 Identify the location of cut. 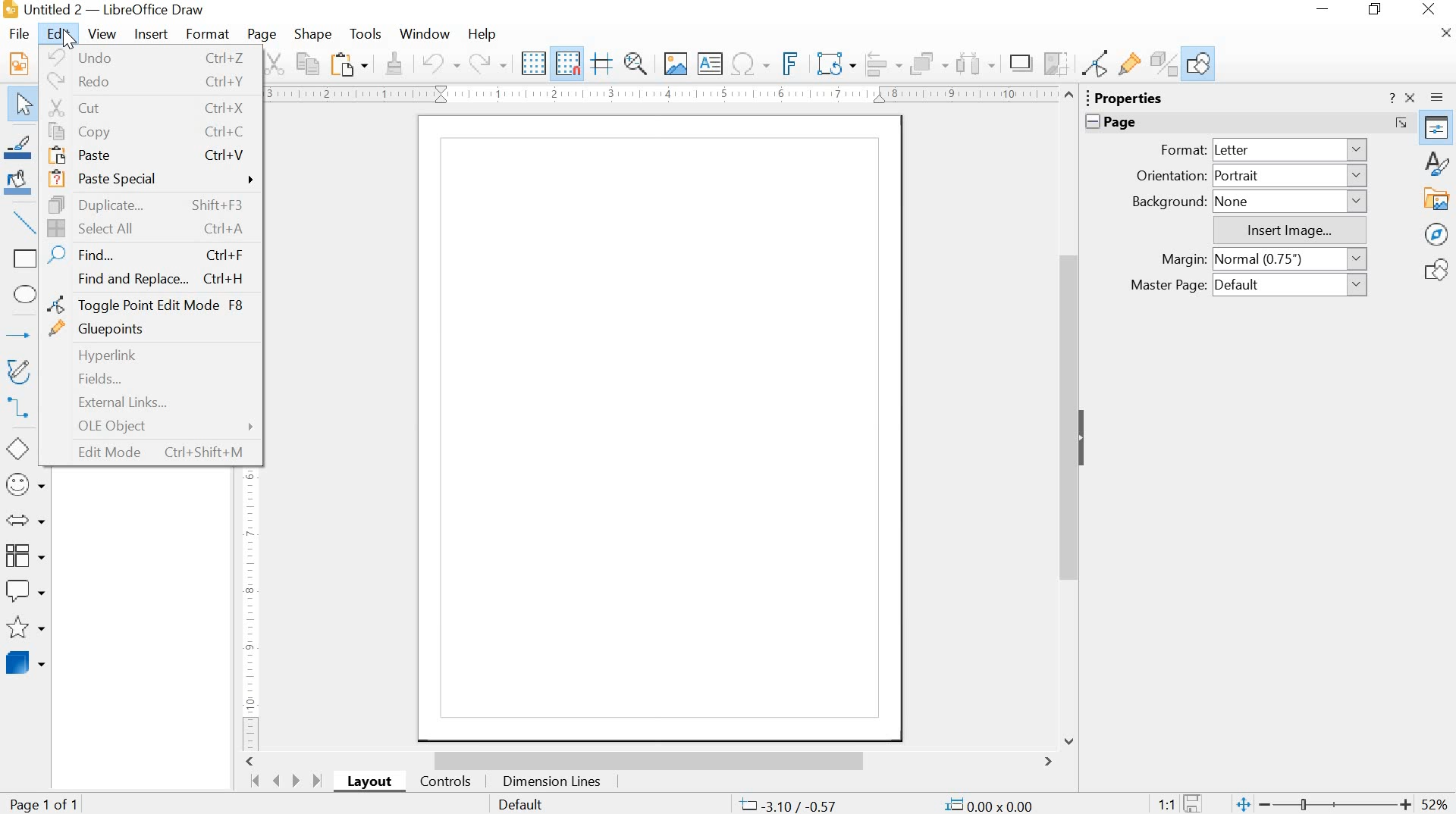
(149, 108).